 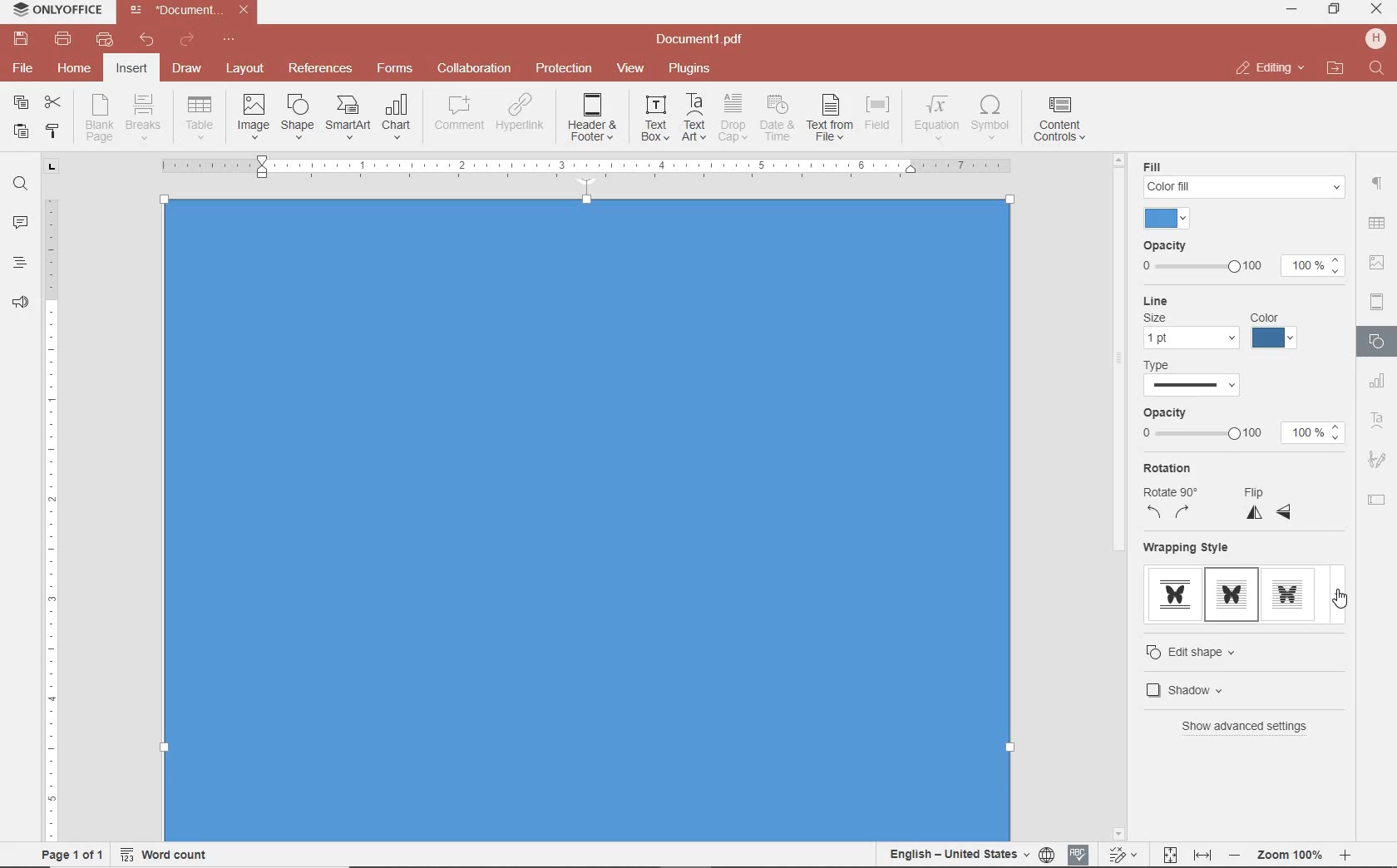 I want to click on COMMENT, so click(x=461, y=113).